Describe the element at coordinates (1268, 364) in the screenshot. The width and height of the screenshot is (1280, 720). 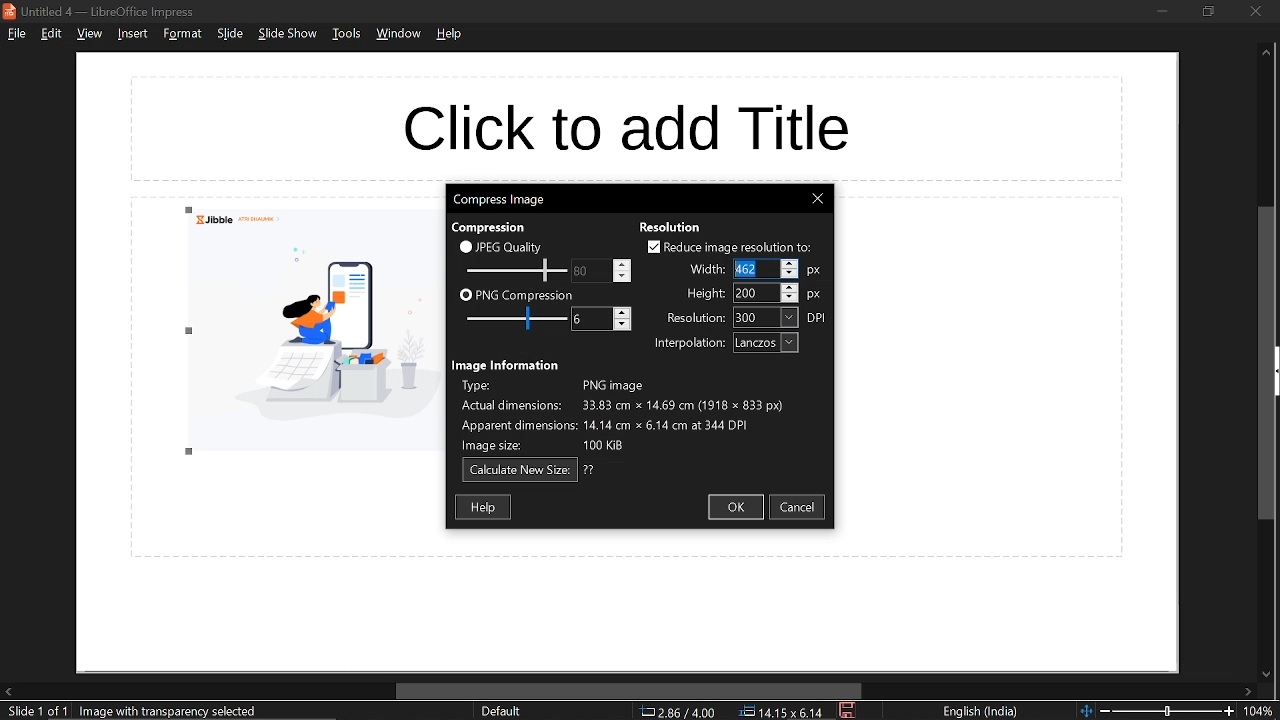
I see `vertical scrollbar` at that location.